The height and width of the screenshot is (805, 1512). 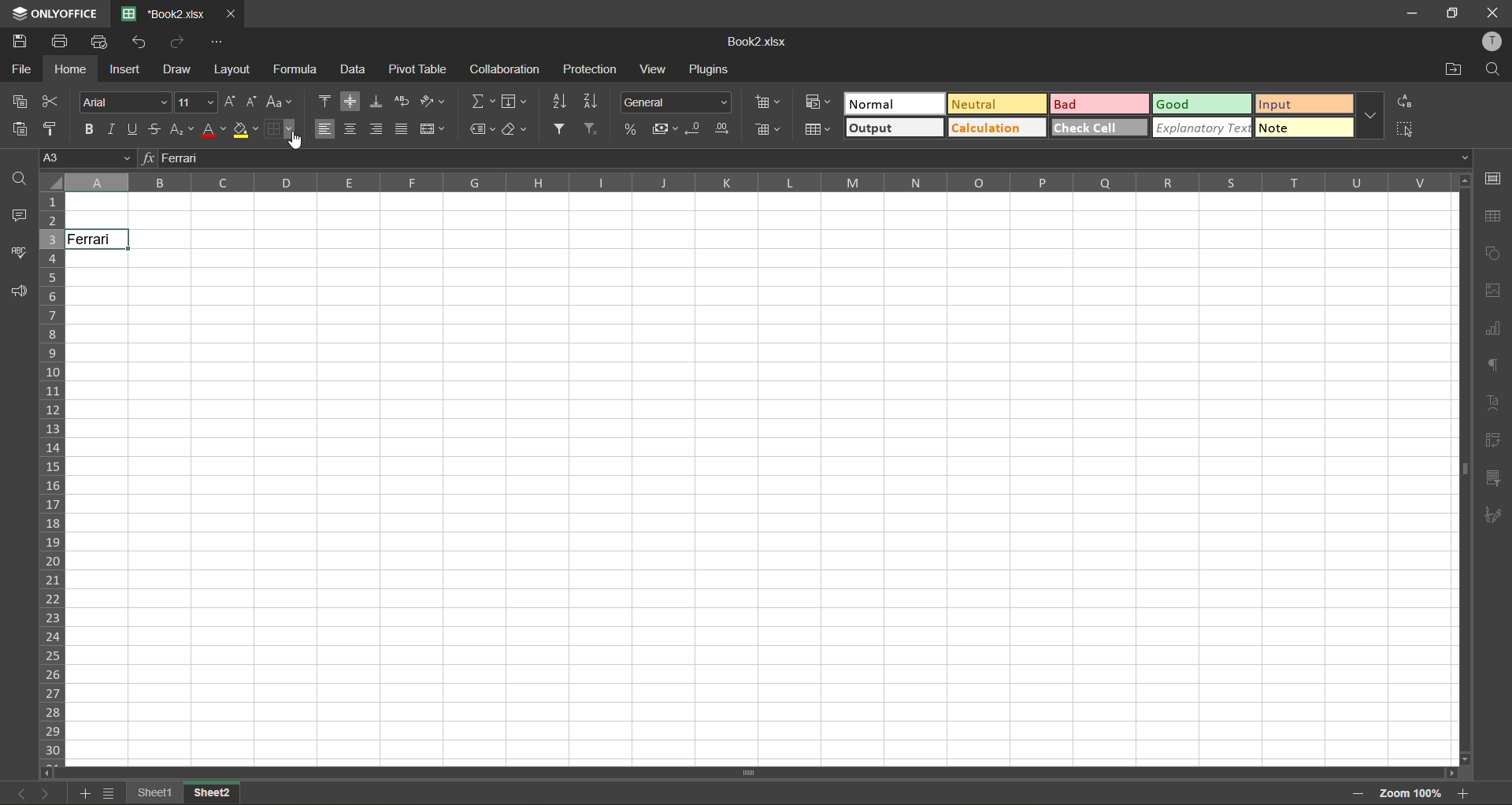 What do you see at coordinates (352, 102) in the screenshot?
I see `align middle` at bounding box center [352, 102].